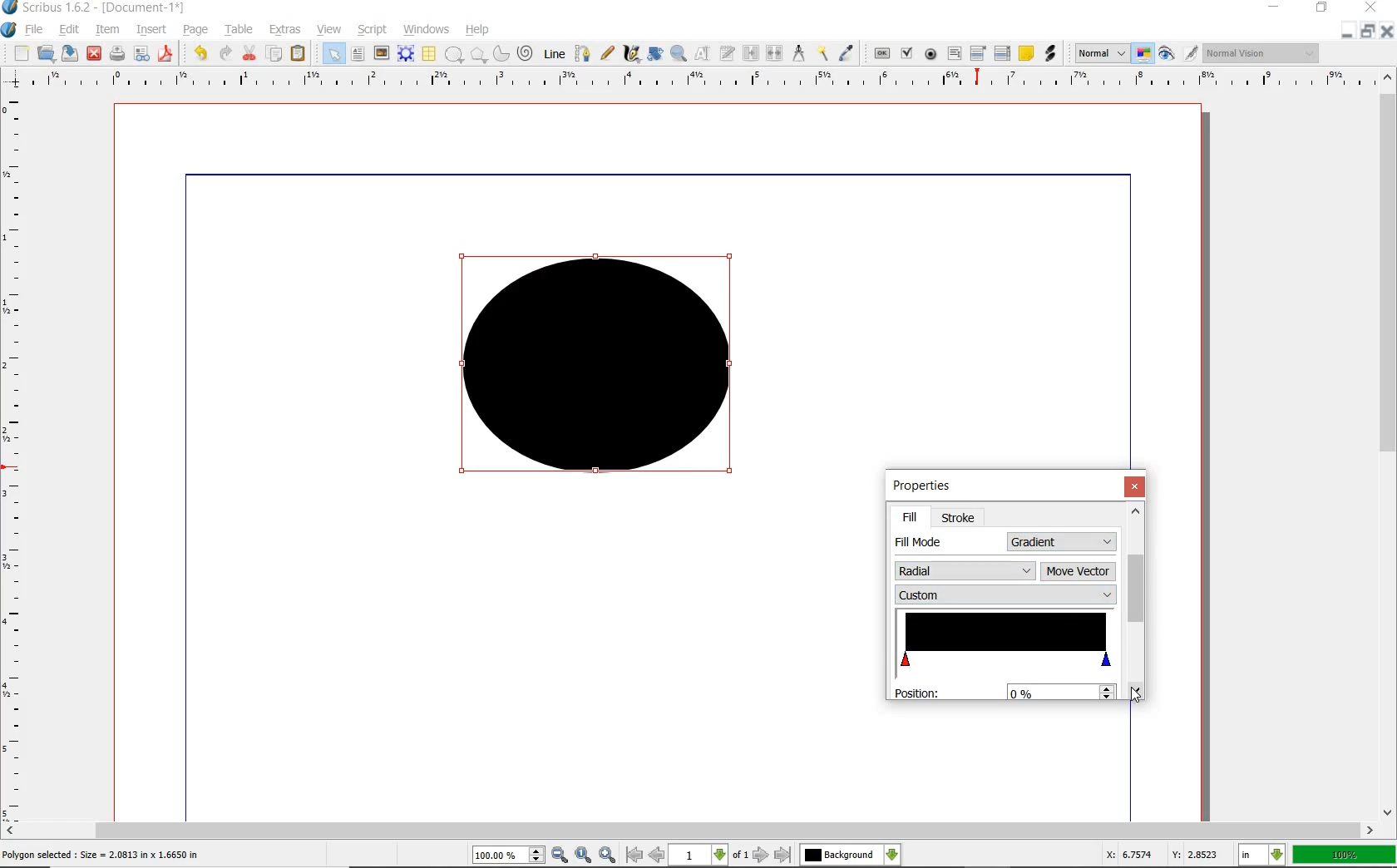  I want to click on COPY, so click(276, 54).